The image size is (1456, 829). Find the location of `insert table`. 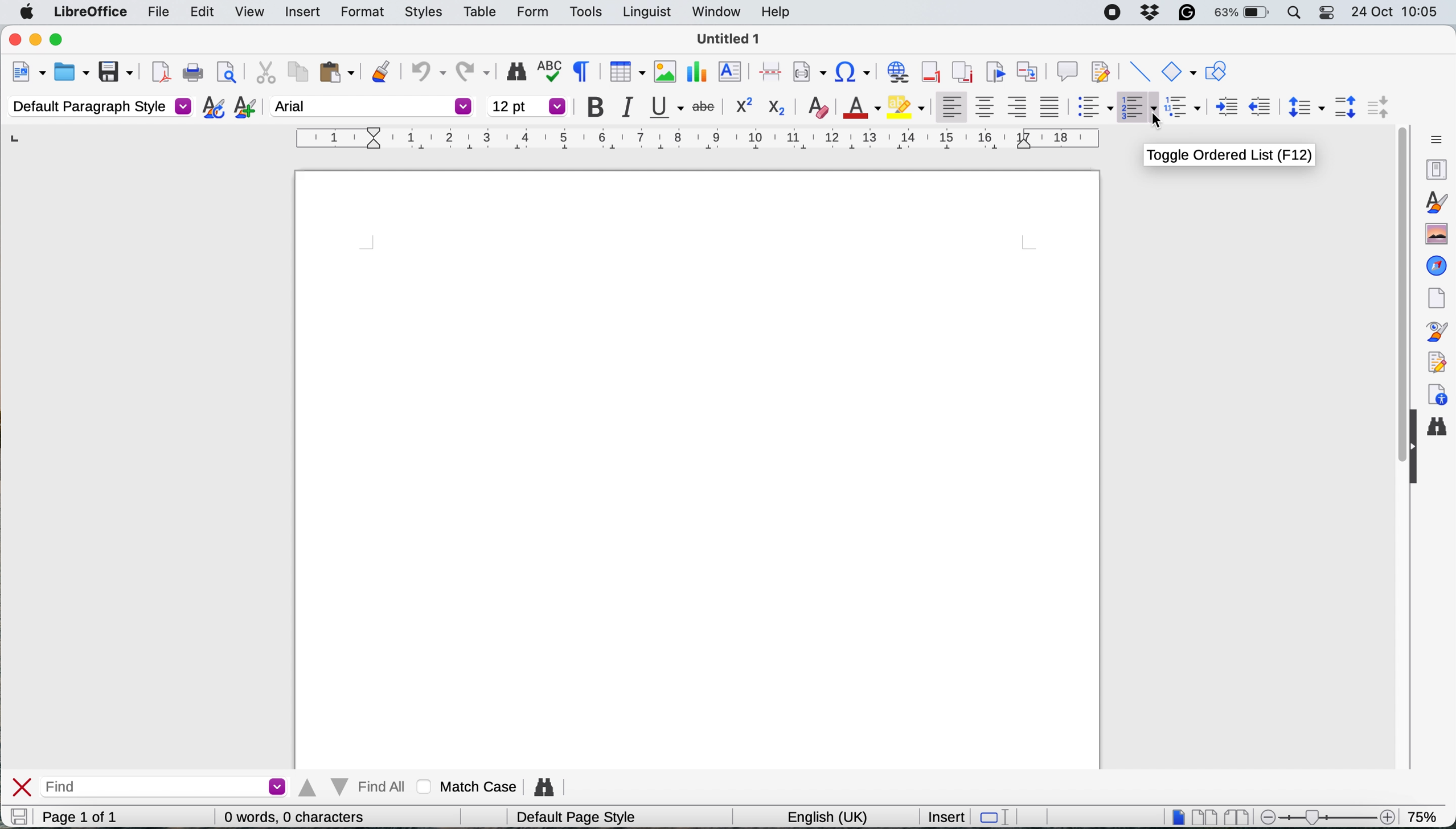

insert table is located at coordinates (625, 73).